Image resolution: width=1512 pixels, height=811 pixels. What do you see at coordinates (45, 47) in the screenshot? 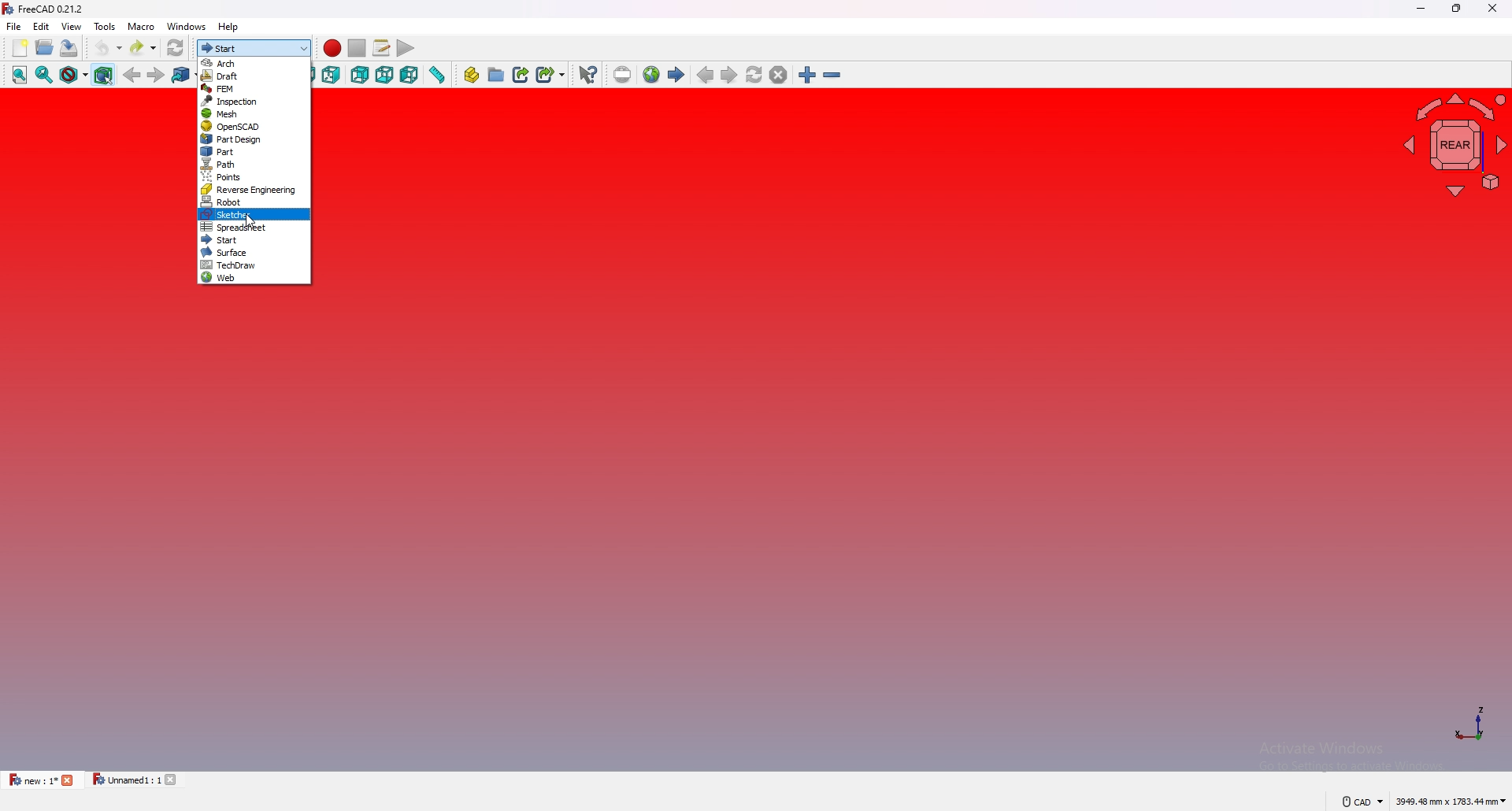
I see `open` at bounding box center [45, 47].